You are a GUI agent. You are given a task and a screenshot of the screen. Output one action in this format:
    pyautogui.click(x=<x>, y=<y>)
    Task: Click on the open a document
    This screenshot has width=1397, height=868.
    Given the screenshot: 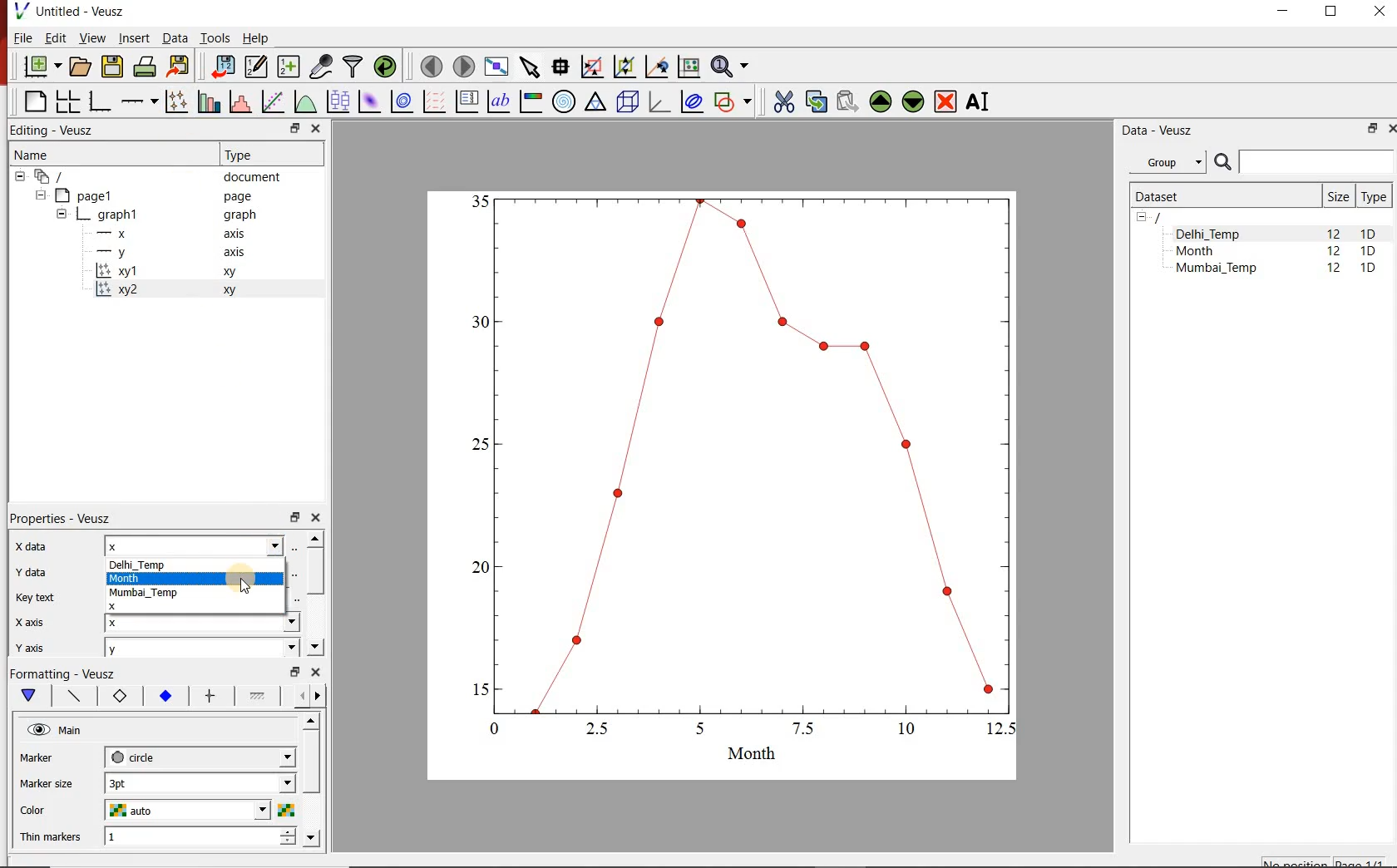 What is the action you would take?
    pyautogui.click(x=79, y=67)
    